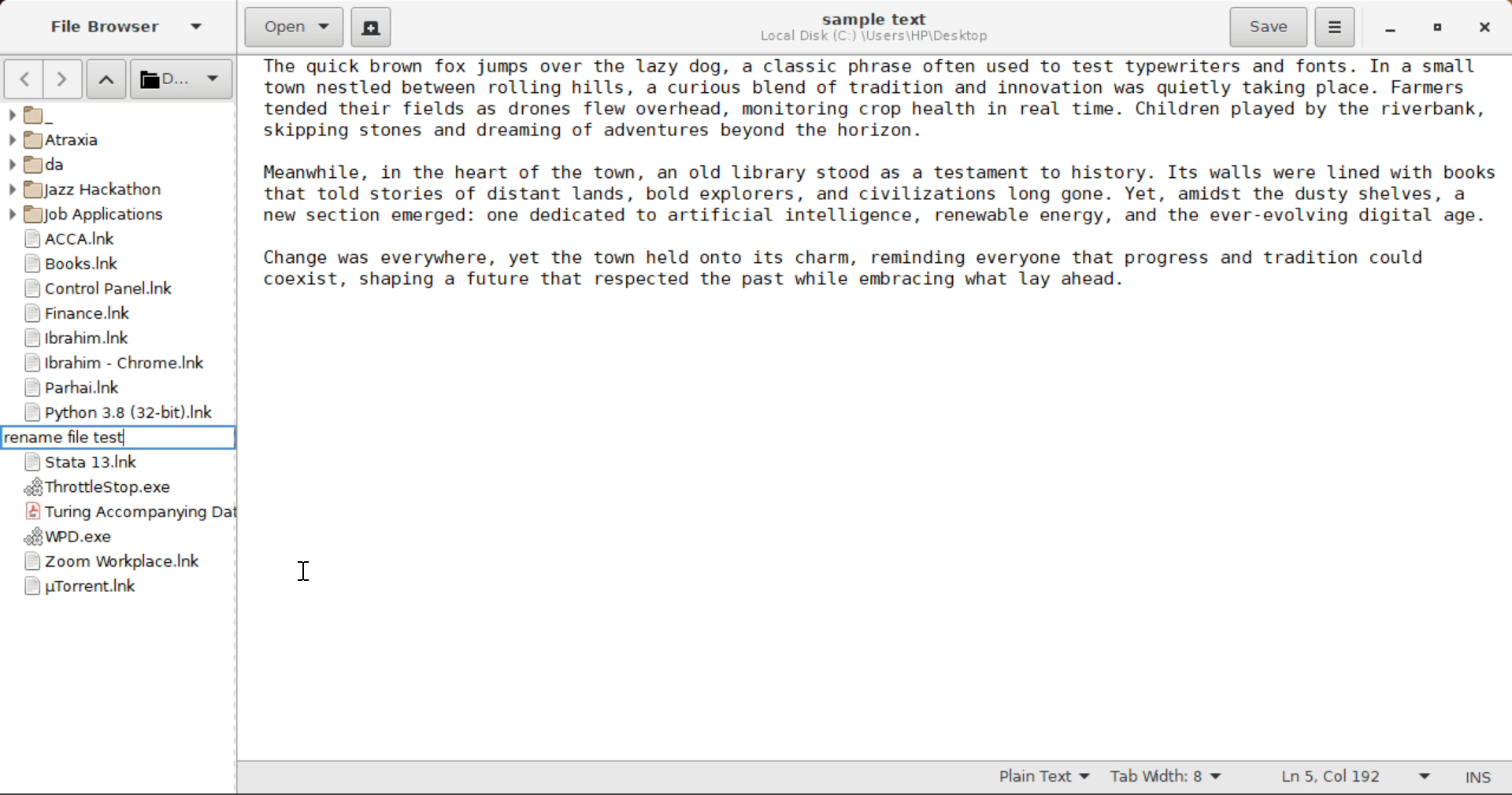 This screenshot has height=795, width=1512. Describe the element at coordinates (1270, 28) in the screenshot. I see `Save` at that location.